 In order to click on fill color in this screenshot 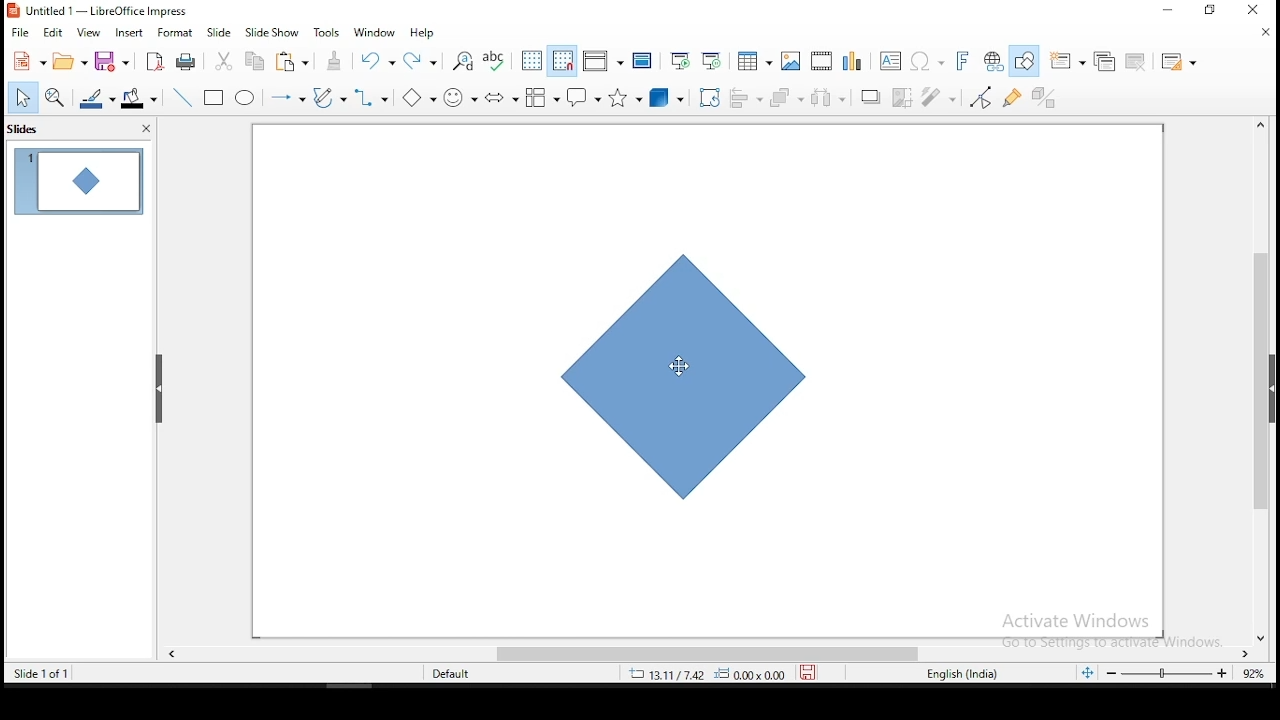, I will do `click(135, 99)`.